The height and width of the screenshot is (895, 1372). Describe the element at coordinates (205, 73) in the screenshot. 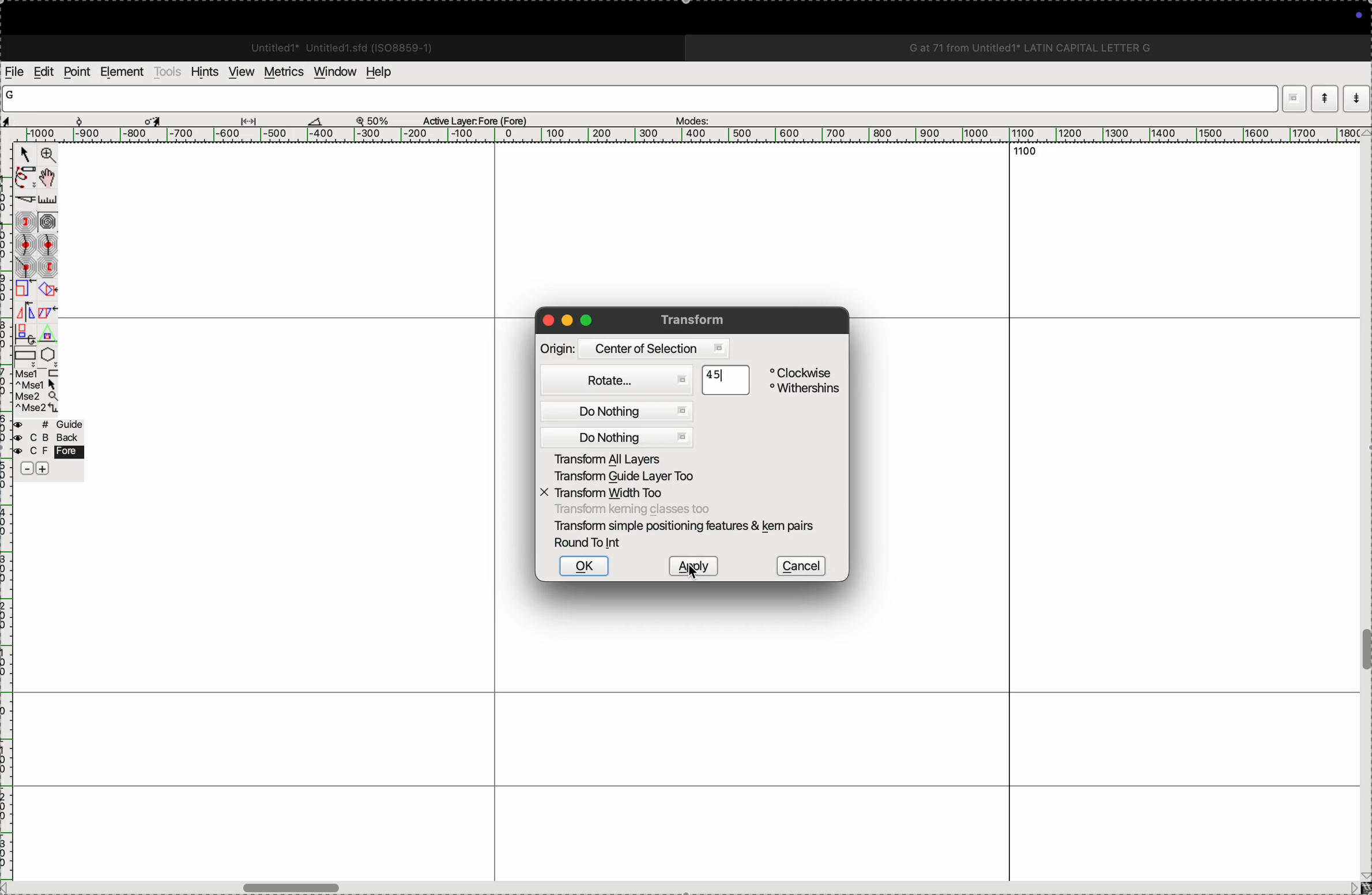

I see `hints` at that location.